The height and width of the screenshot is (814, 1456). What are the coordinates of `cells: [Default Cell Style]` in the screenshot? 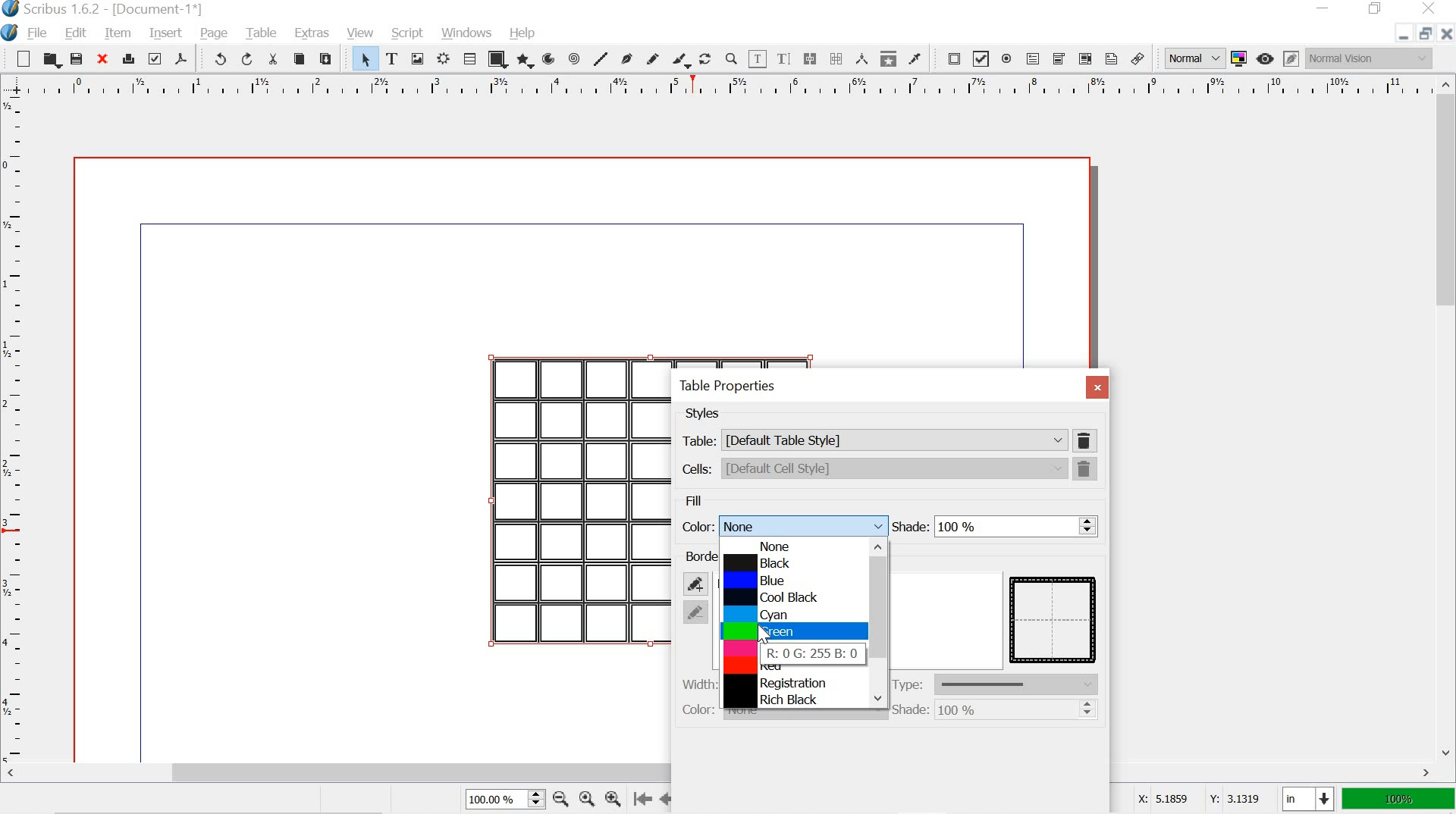 It's located at (874, 468).